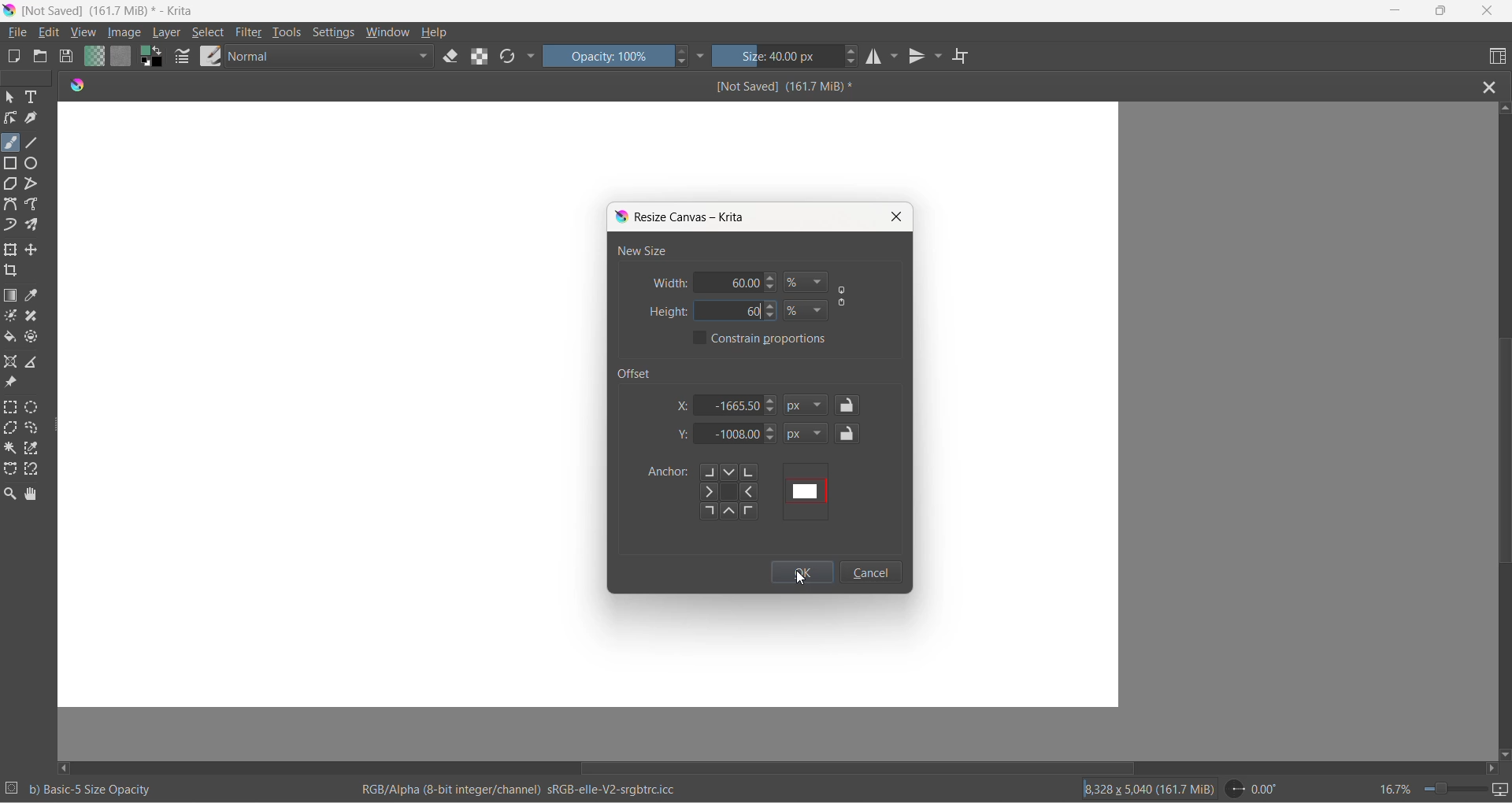 This screenshot has width=1512, height=803. What do you see at coordinates (10, 118) in the screenshot?
I see `edit shape tool` at bounding box center [10, 118].